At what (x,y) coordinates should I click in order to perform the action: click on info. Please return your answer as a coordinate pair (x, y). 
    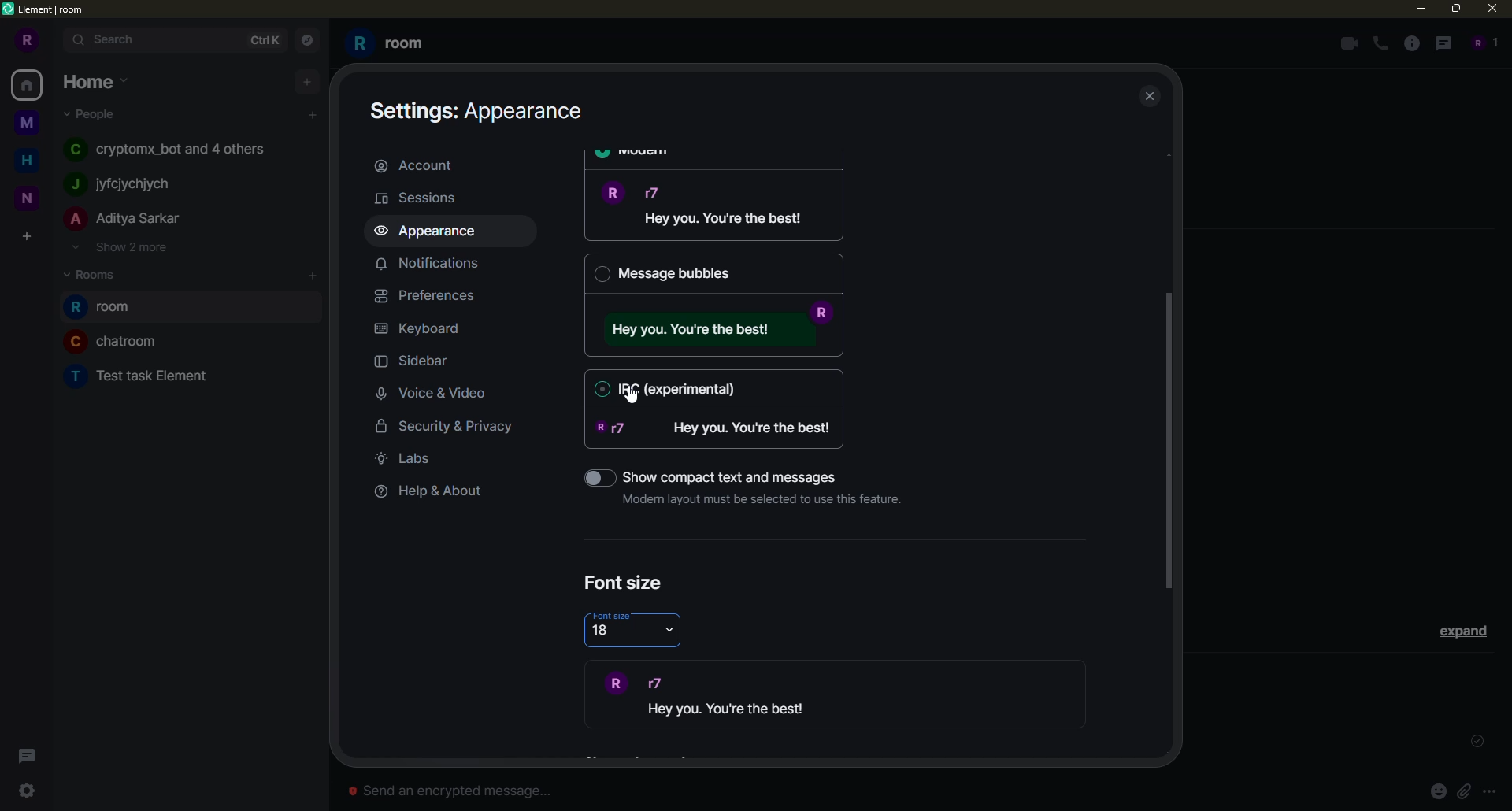
    Looking at the image, I should click on (1413, 43).